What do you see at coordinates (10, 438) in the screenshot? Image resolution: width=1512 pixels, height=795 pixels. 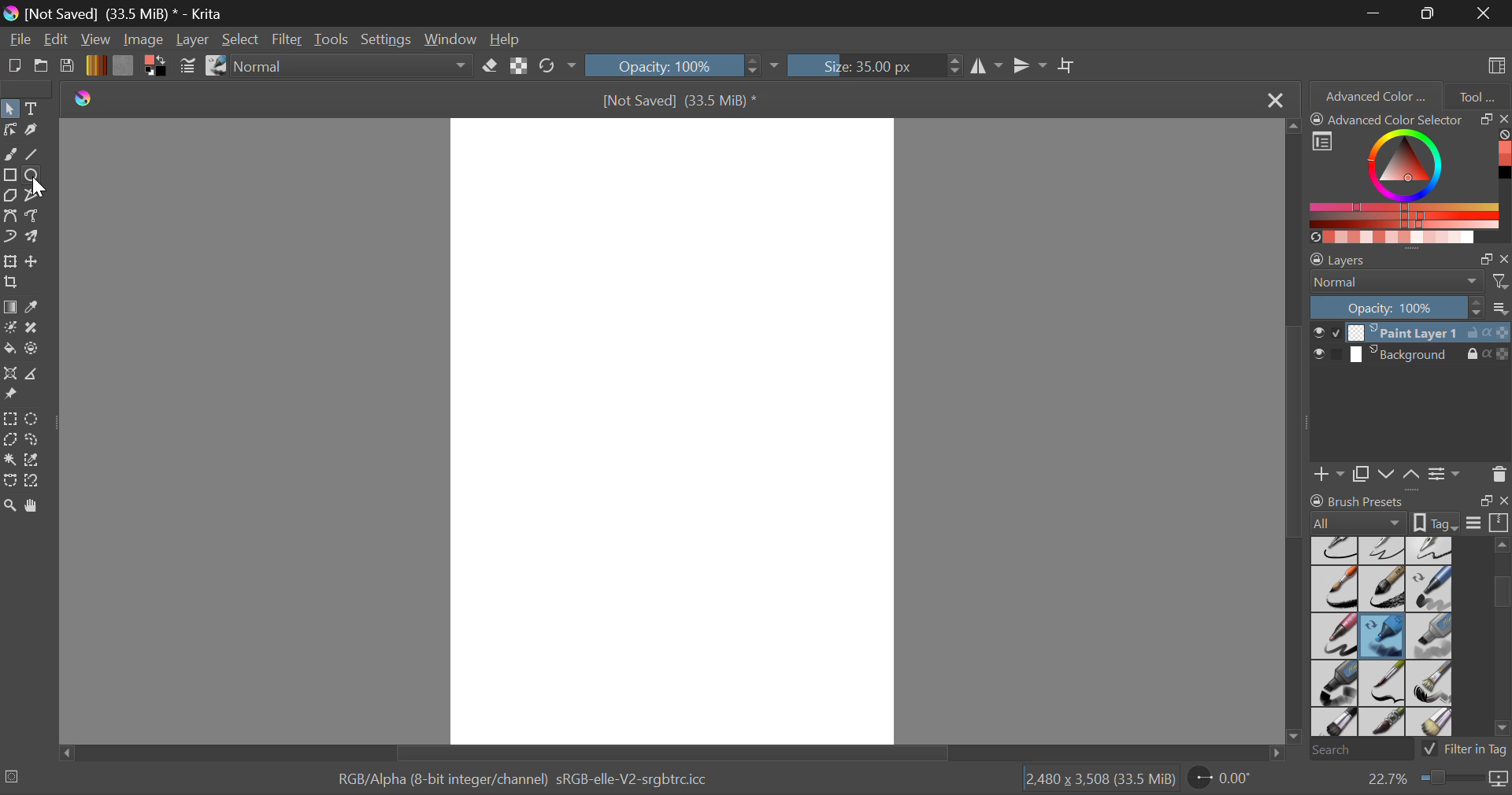 I see `Polygonal Selection Tool` at bounding box center [10, 438].